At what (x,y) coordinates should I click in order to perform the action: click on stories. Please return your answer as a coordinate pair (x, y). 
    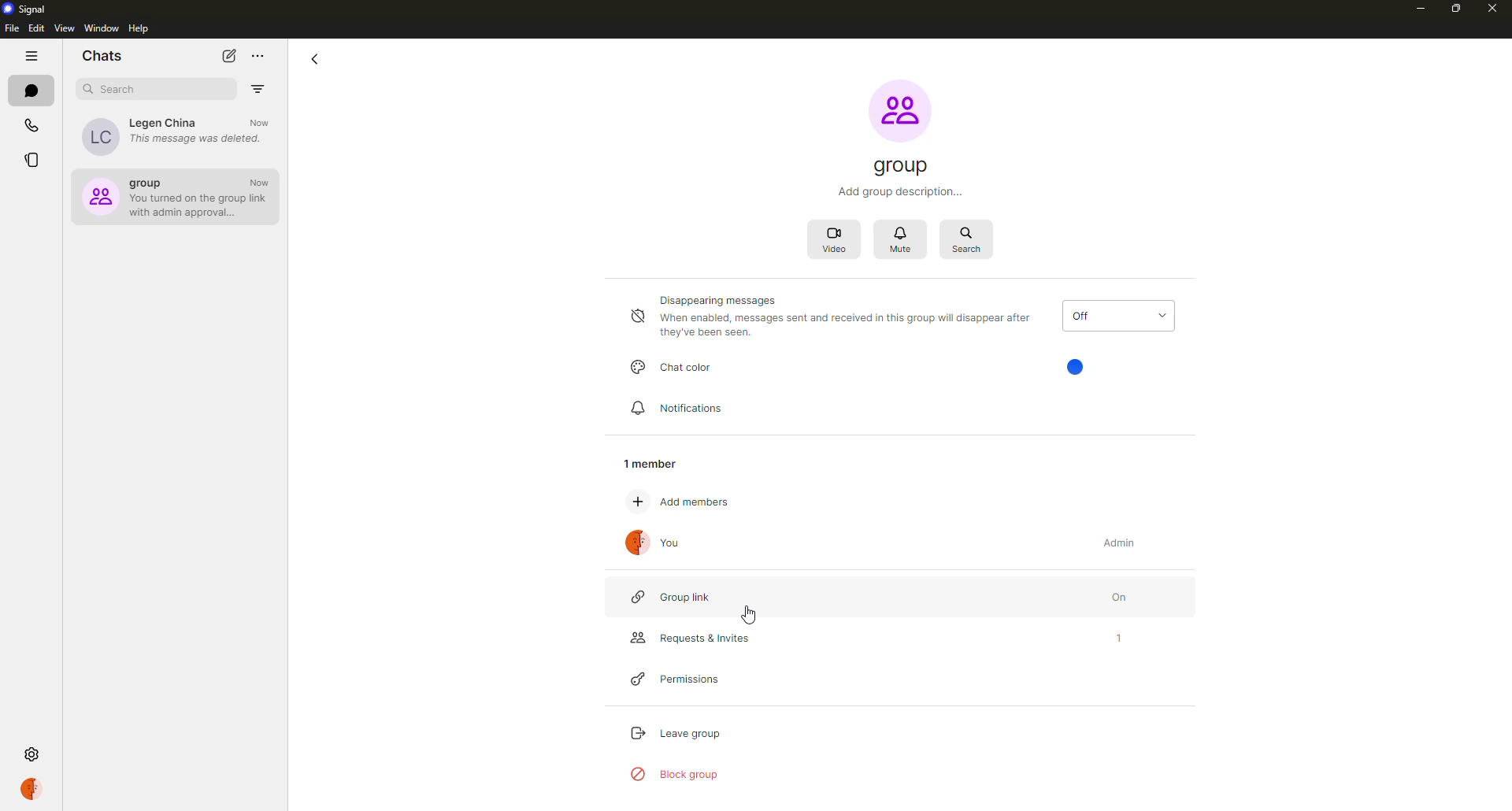
    Looking at the image, I should click on (31, 162).